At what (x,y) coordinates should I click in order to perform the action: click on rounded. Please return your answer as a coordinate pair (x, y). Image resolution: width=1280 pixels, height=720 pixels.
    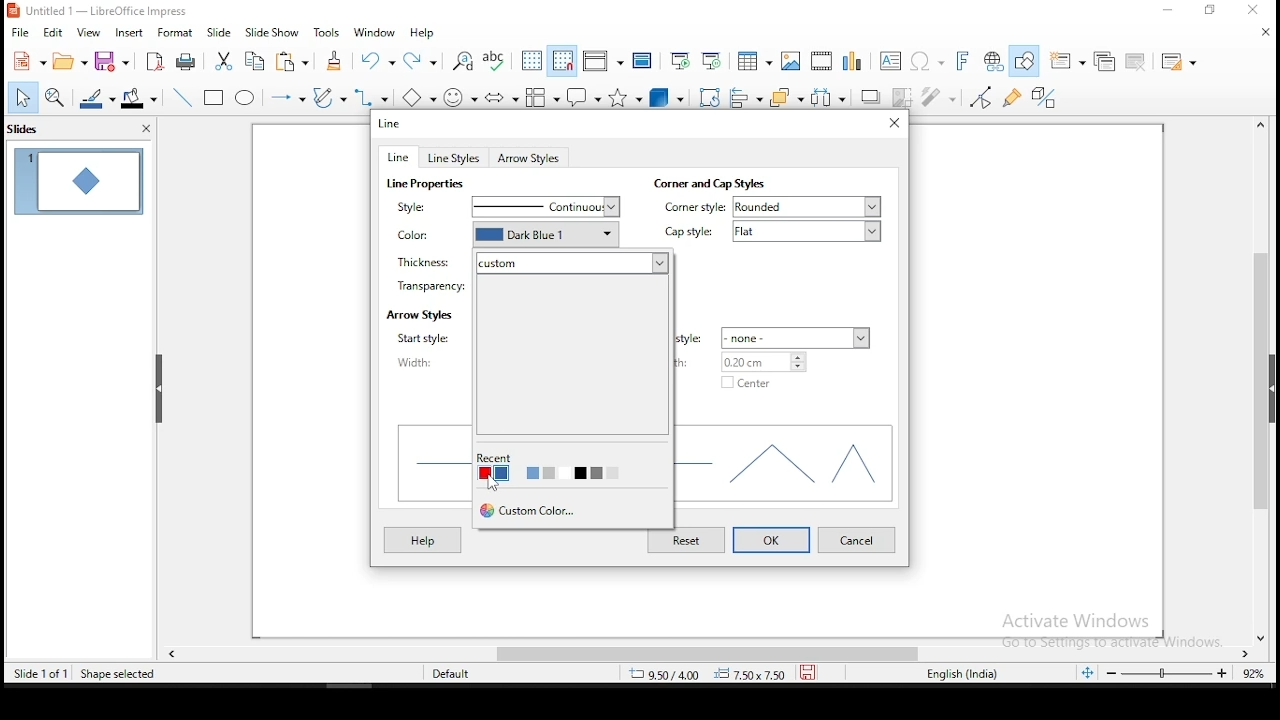
    Looking at the image, I should click on (813, 207).